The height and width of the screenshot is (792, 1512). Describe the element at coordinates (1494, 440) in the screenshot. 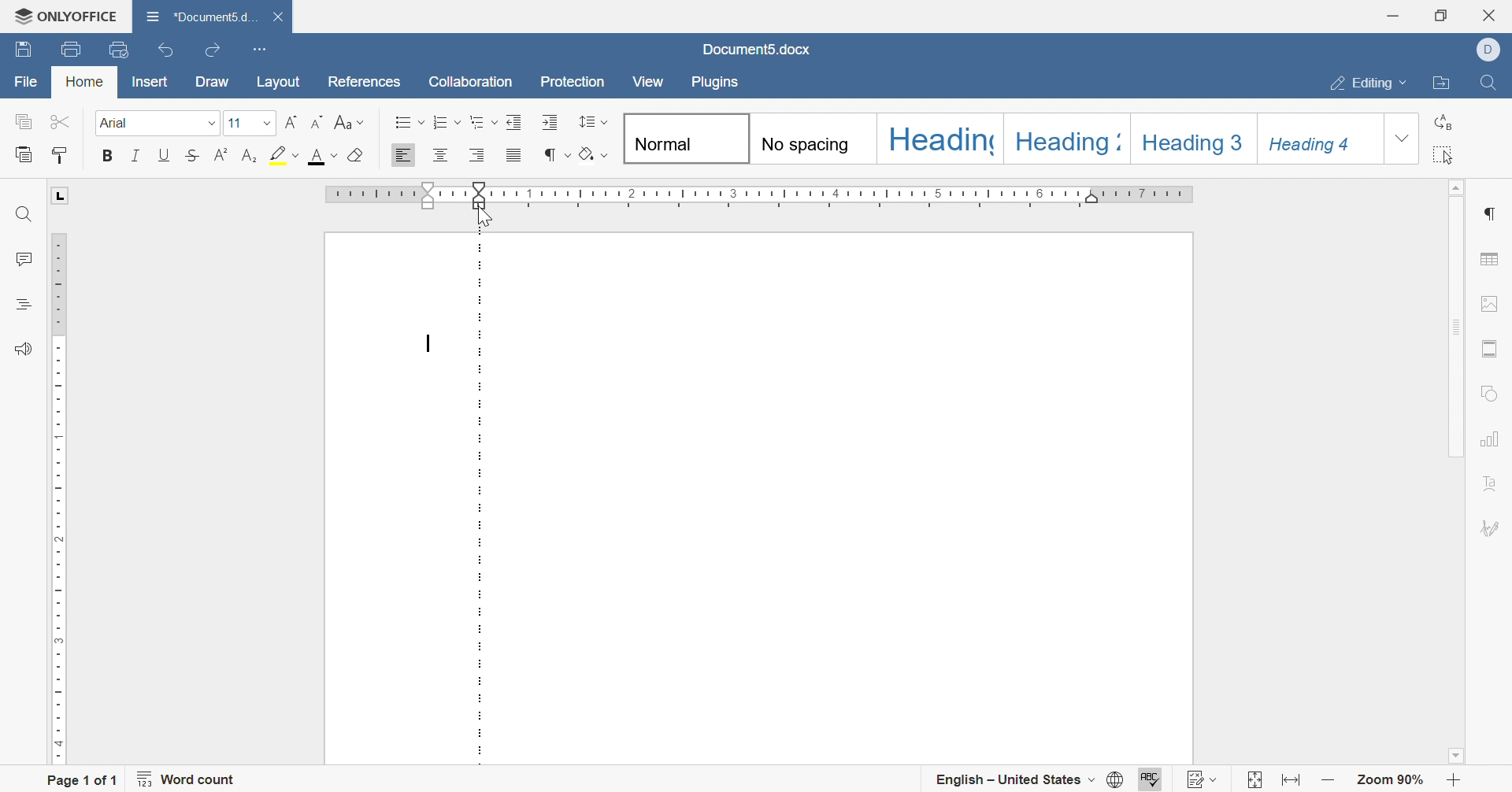

I see `chart settings` at that location.